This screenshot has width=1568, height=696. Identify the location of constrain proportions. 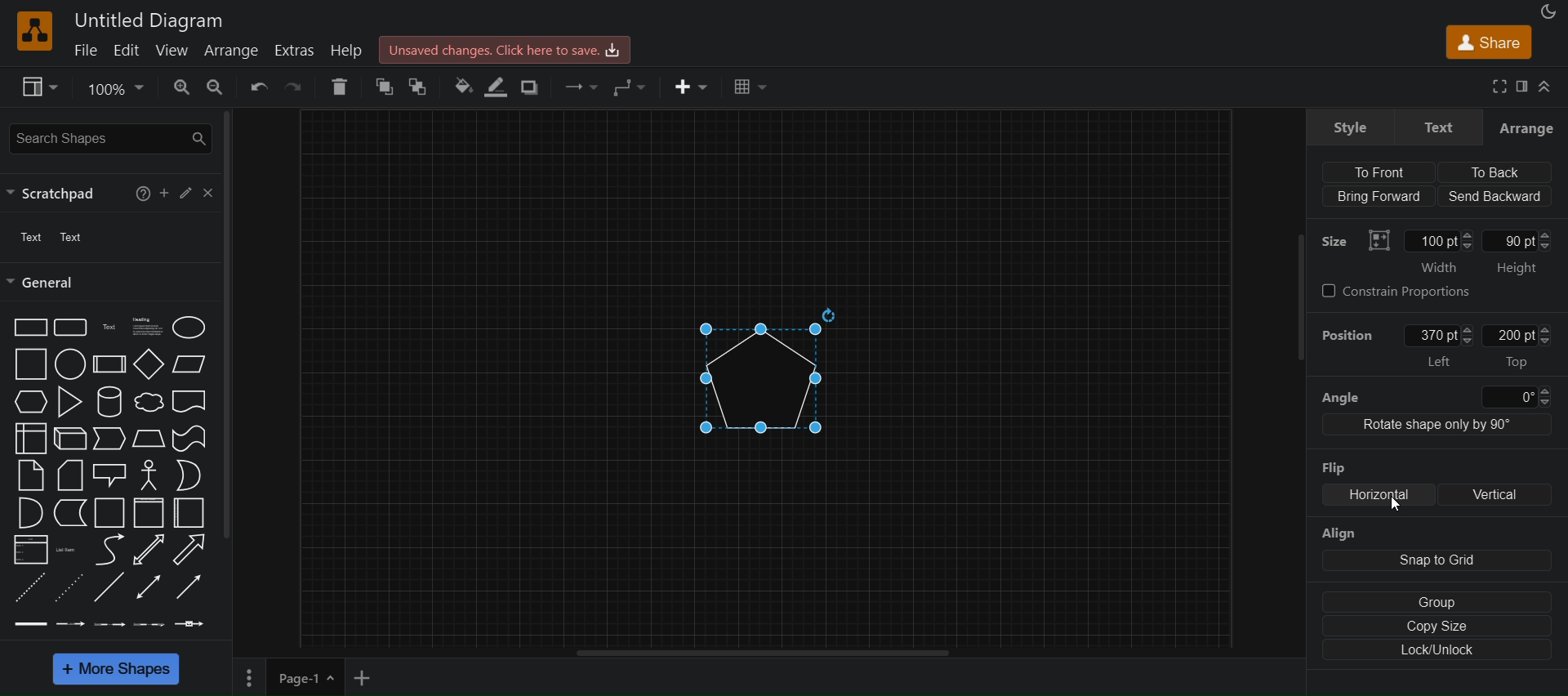
(1396, 292).